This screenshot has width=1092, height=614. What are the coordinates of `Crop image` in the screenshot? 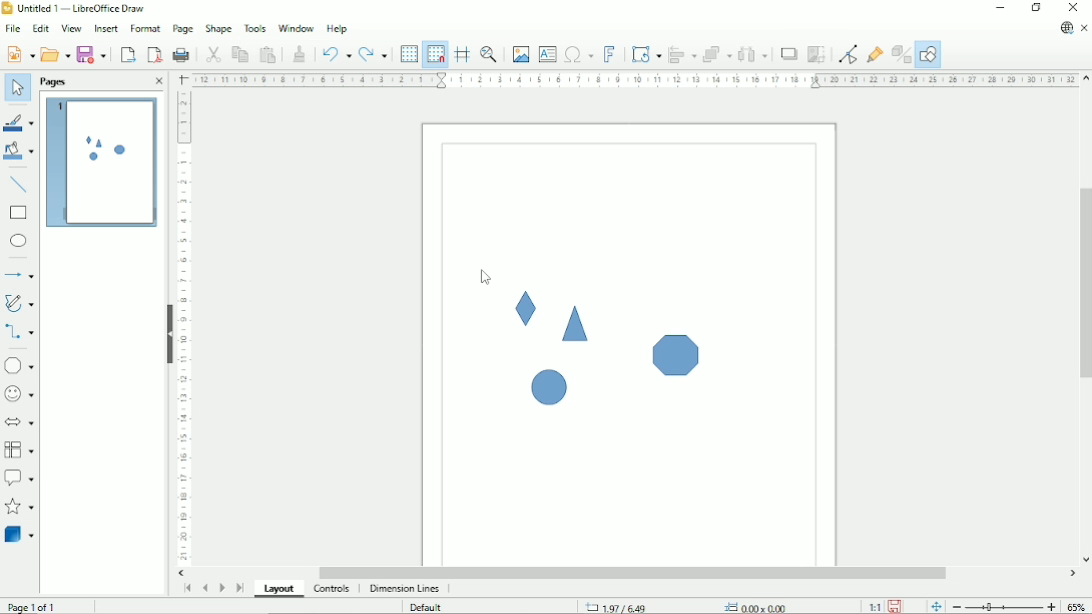 It's located at (815, 55).